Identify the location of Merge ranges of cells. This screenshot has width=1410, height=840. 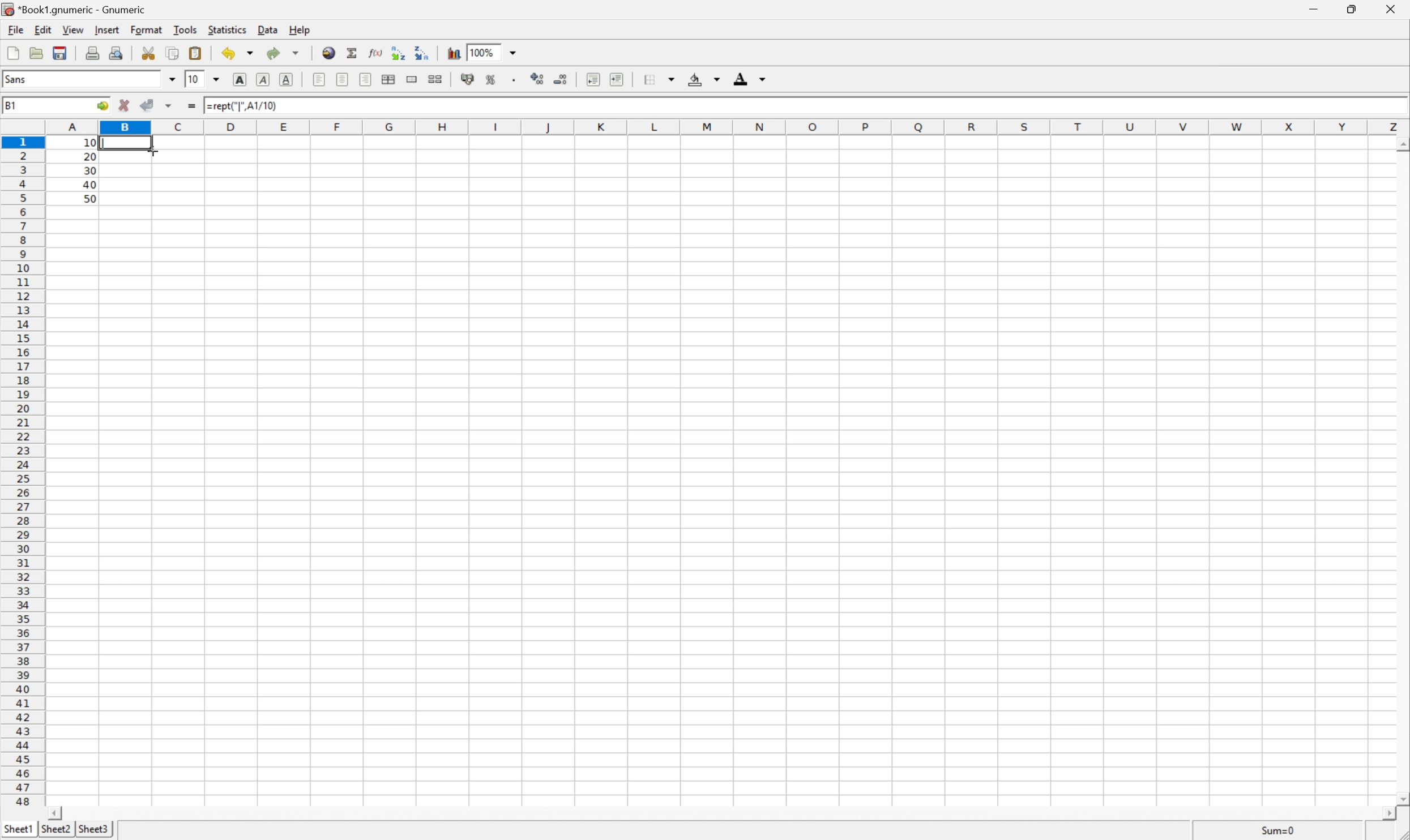
(411, 79).